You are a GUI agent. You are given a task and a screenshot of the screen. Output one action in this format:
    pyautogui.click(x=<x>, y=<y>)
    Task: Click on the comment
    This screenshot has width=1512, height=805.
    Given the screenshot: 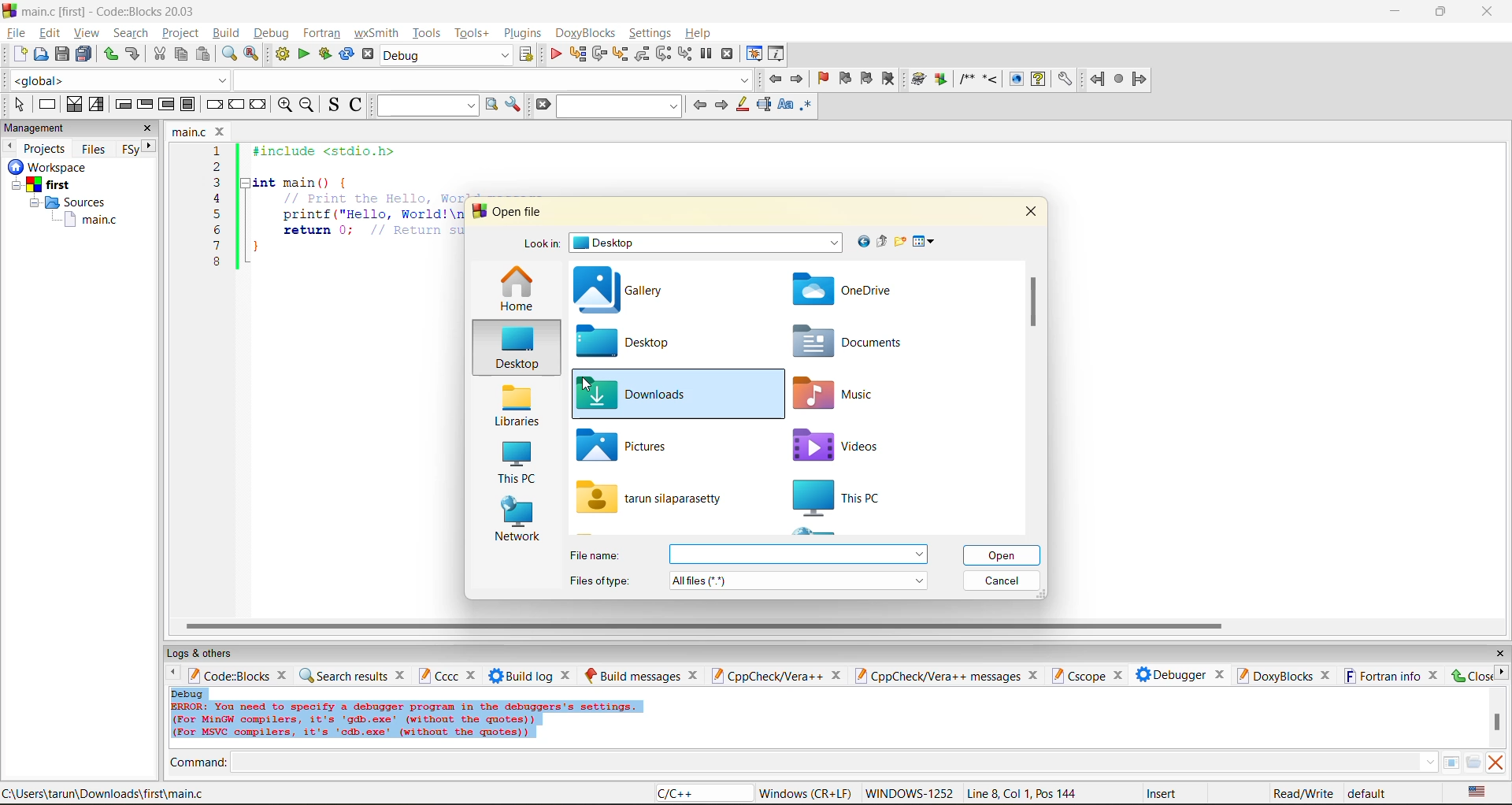 What is the action you would take?
    pyautogui.click(x=966, y=79)
    